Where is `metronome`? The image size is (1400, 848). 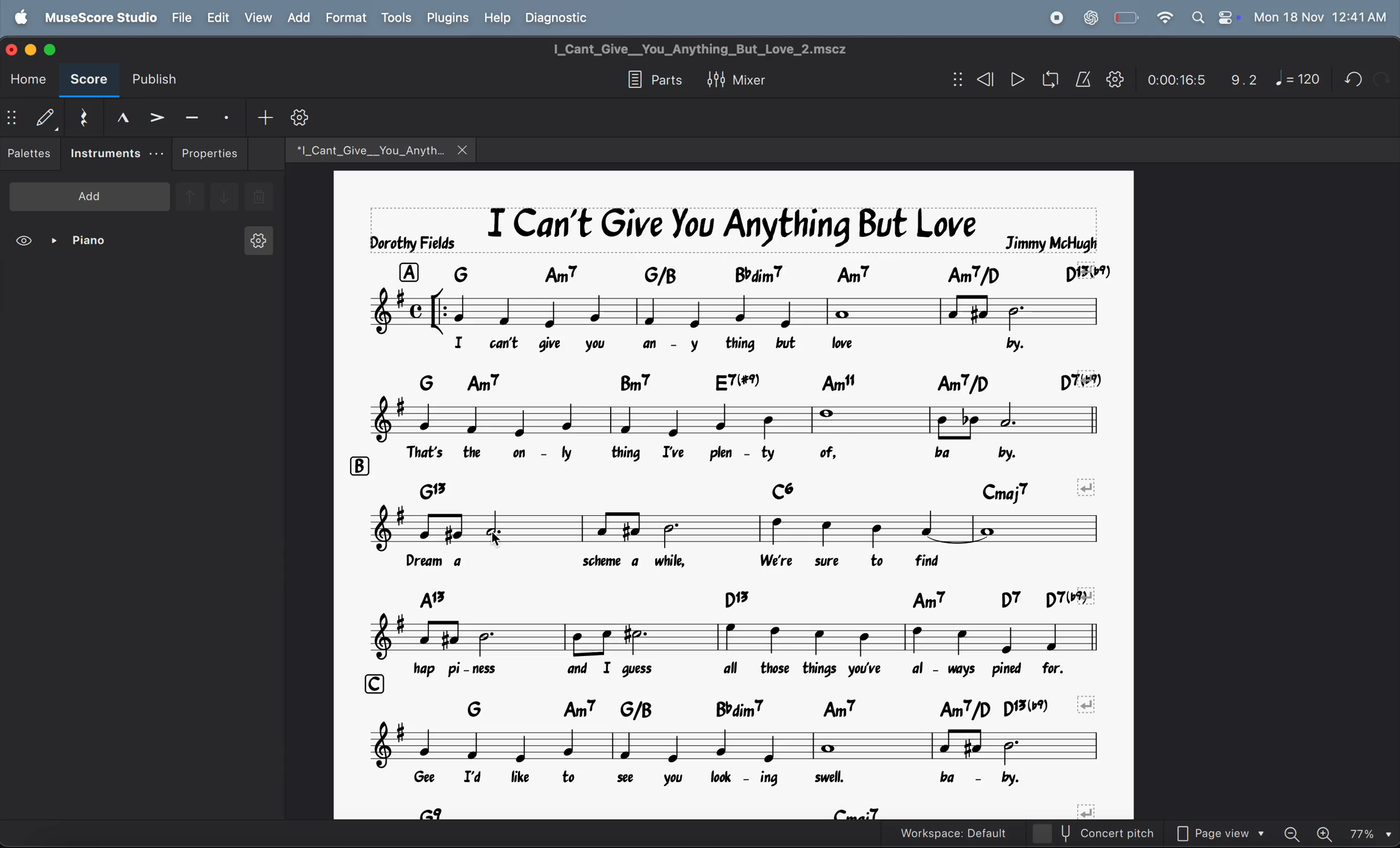
metronome is located at coordinates (1083, 79).